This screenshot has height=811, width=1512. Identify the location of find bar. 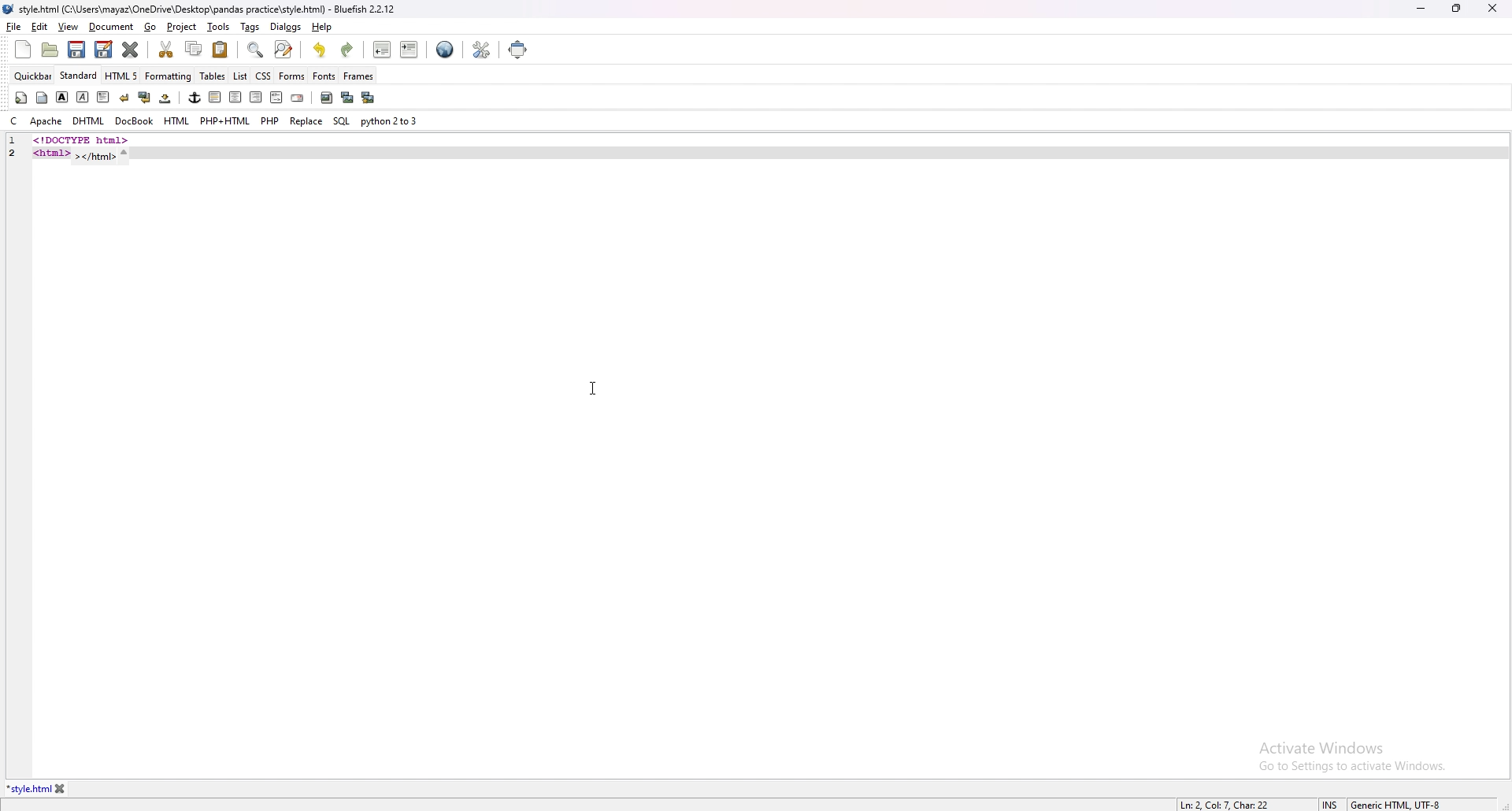
(256, 50).